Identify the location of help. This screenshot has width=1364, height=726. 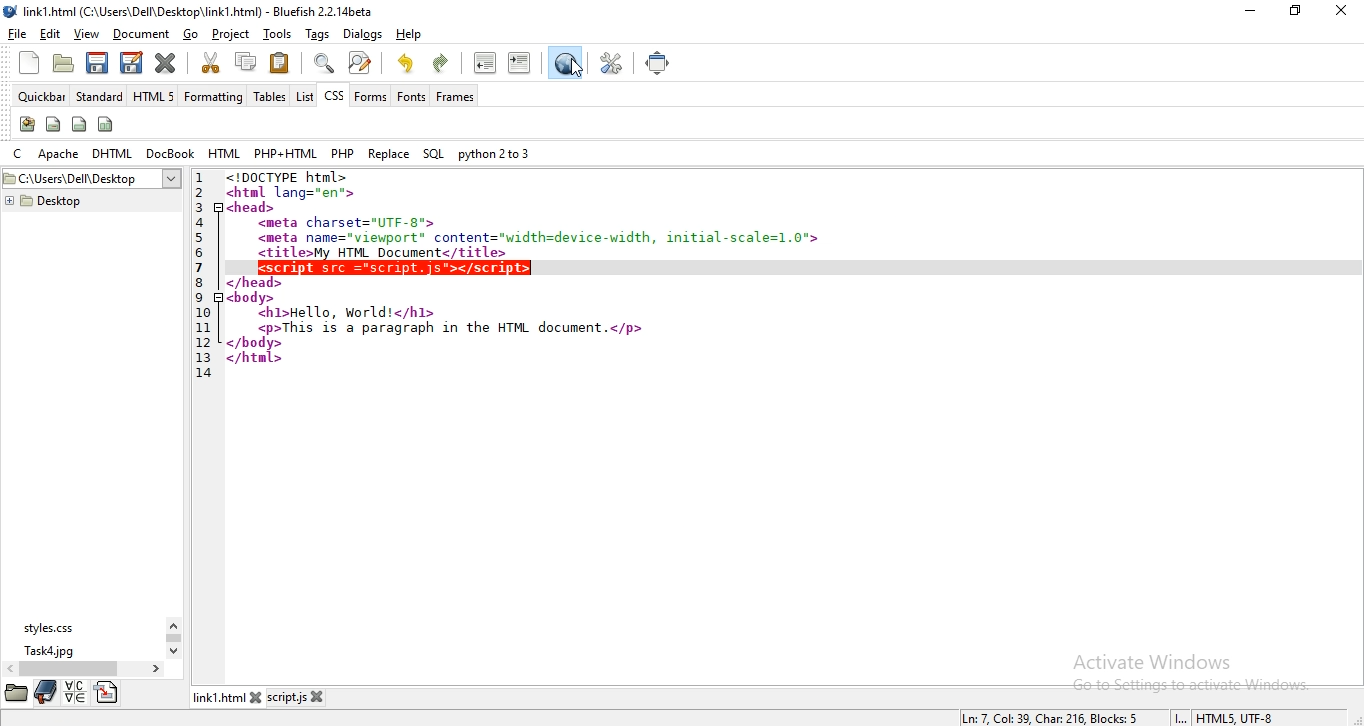
(414, 37).